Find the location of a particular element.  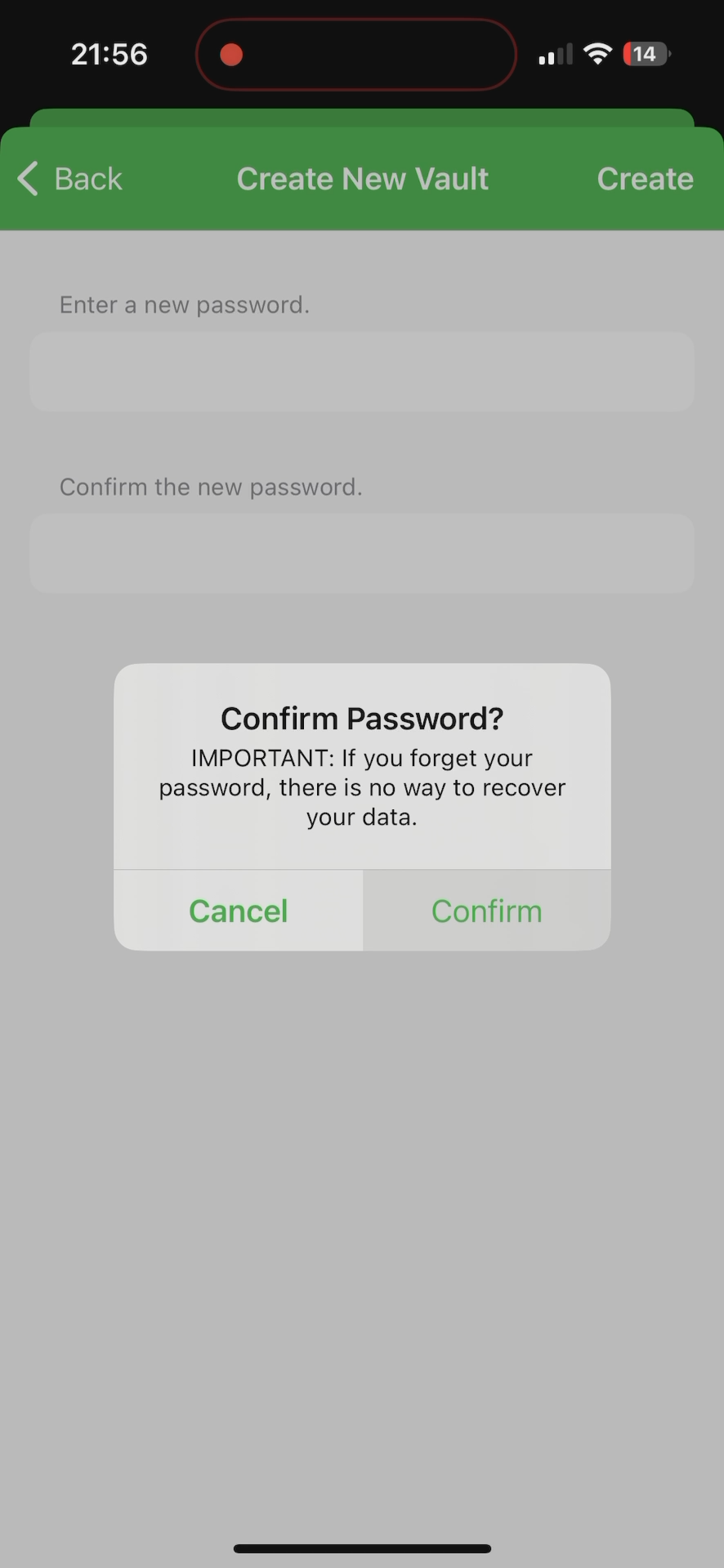

confirm the new password is located at coordinates (216, 485).